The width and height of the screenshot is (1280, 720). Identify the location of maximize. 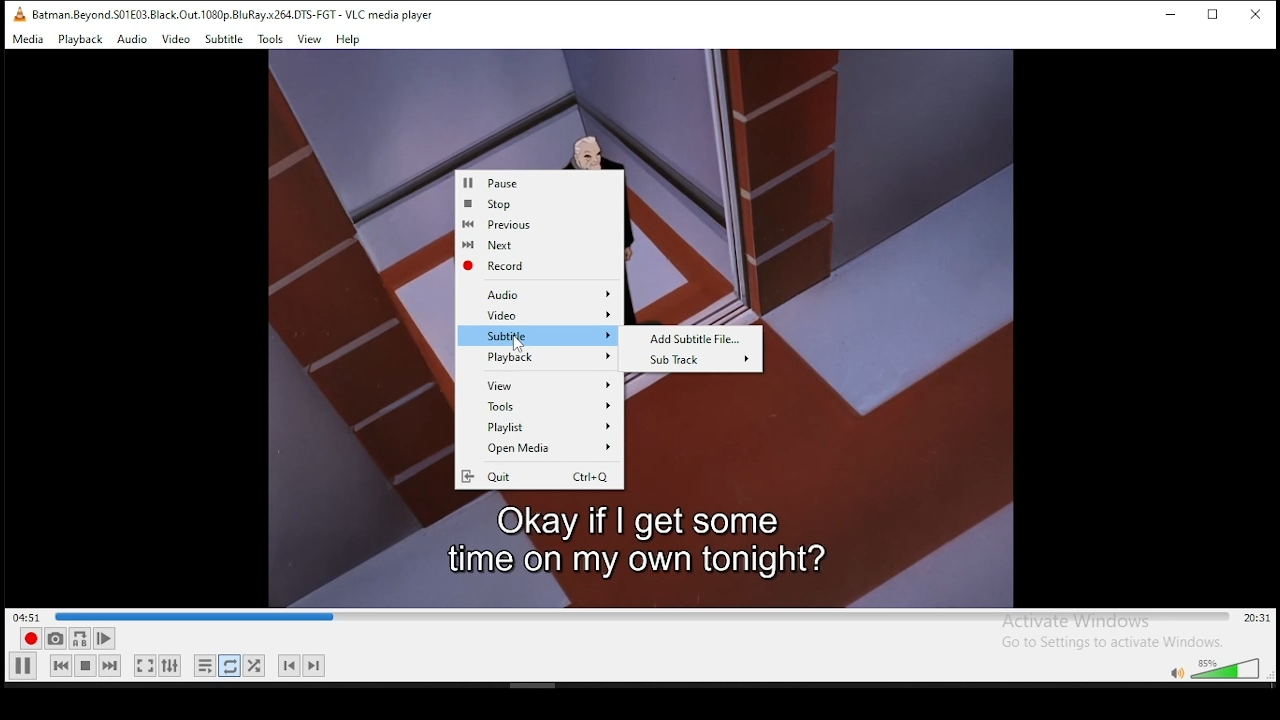
(1219, 16).